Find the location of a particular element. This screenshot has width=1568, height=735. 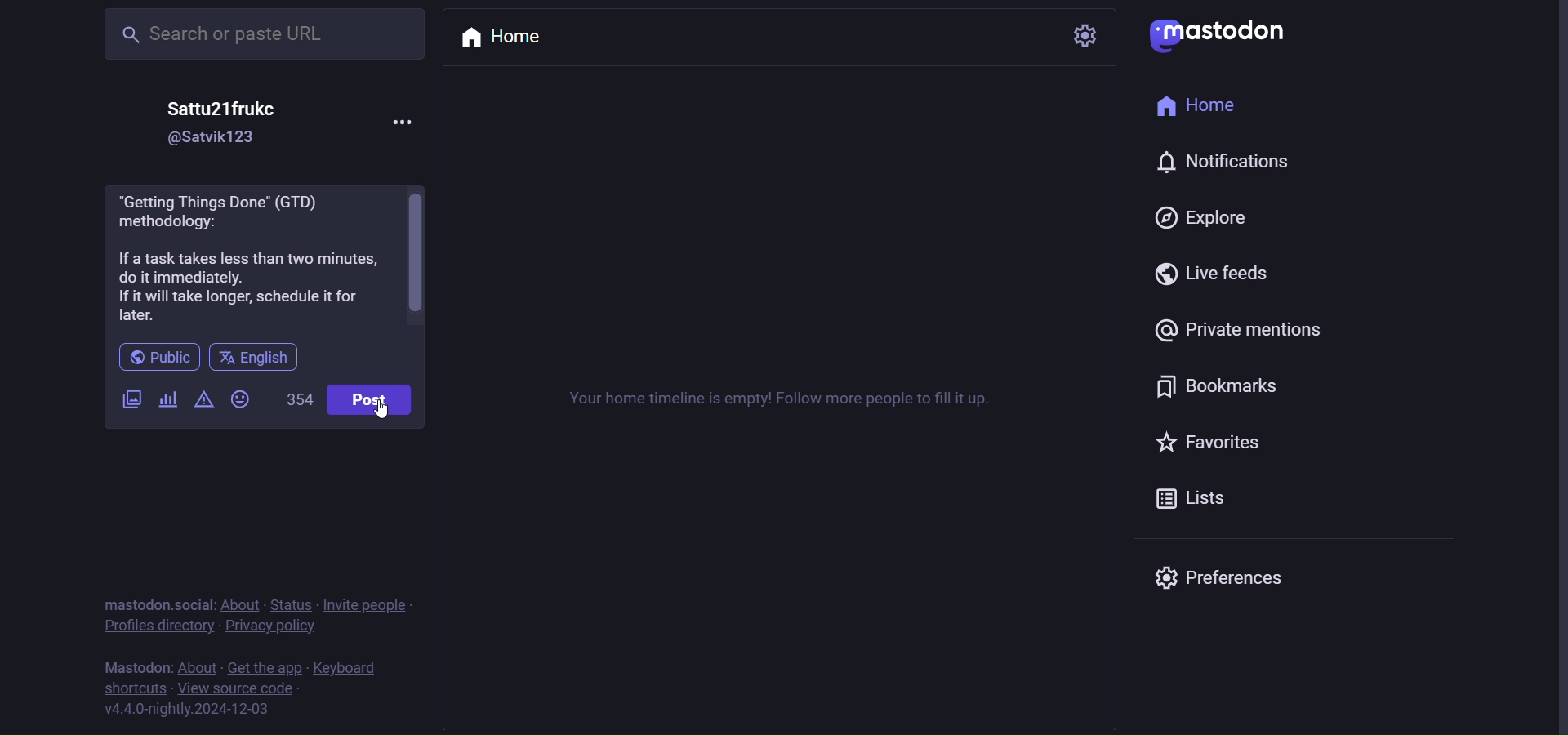

Cursor is located at coordinates (381, 409).